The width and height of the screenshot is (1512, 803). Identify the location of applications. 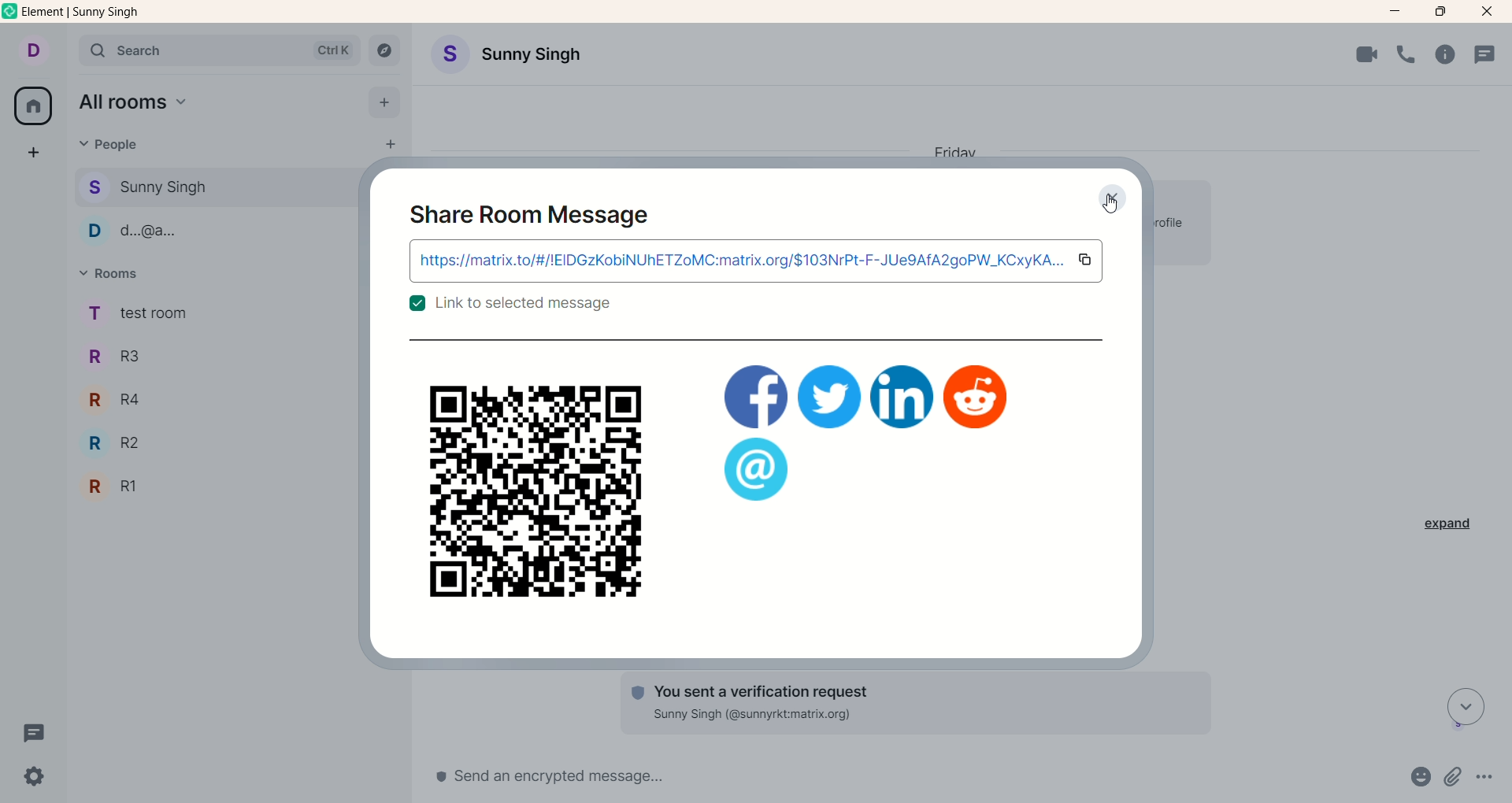
(756, 397).